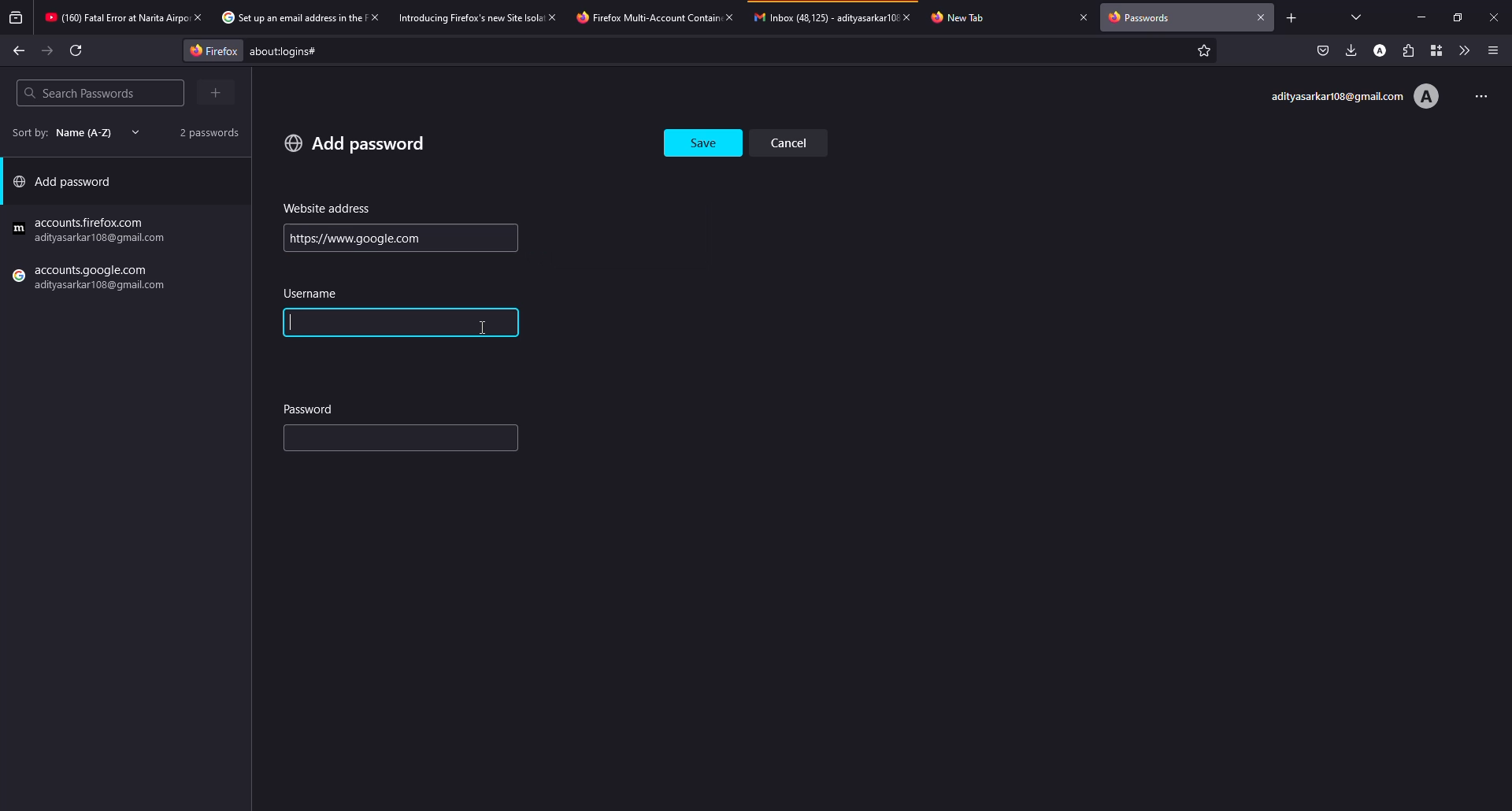 The width and height of the screenshot is (1512, 811). What do you see at coordinates (71, 132) in the screenshot?
I see `sort by name` at bounding box center [71, 132].